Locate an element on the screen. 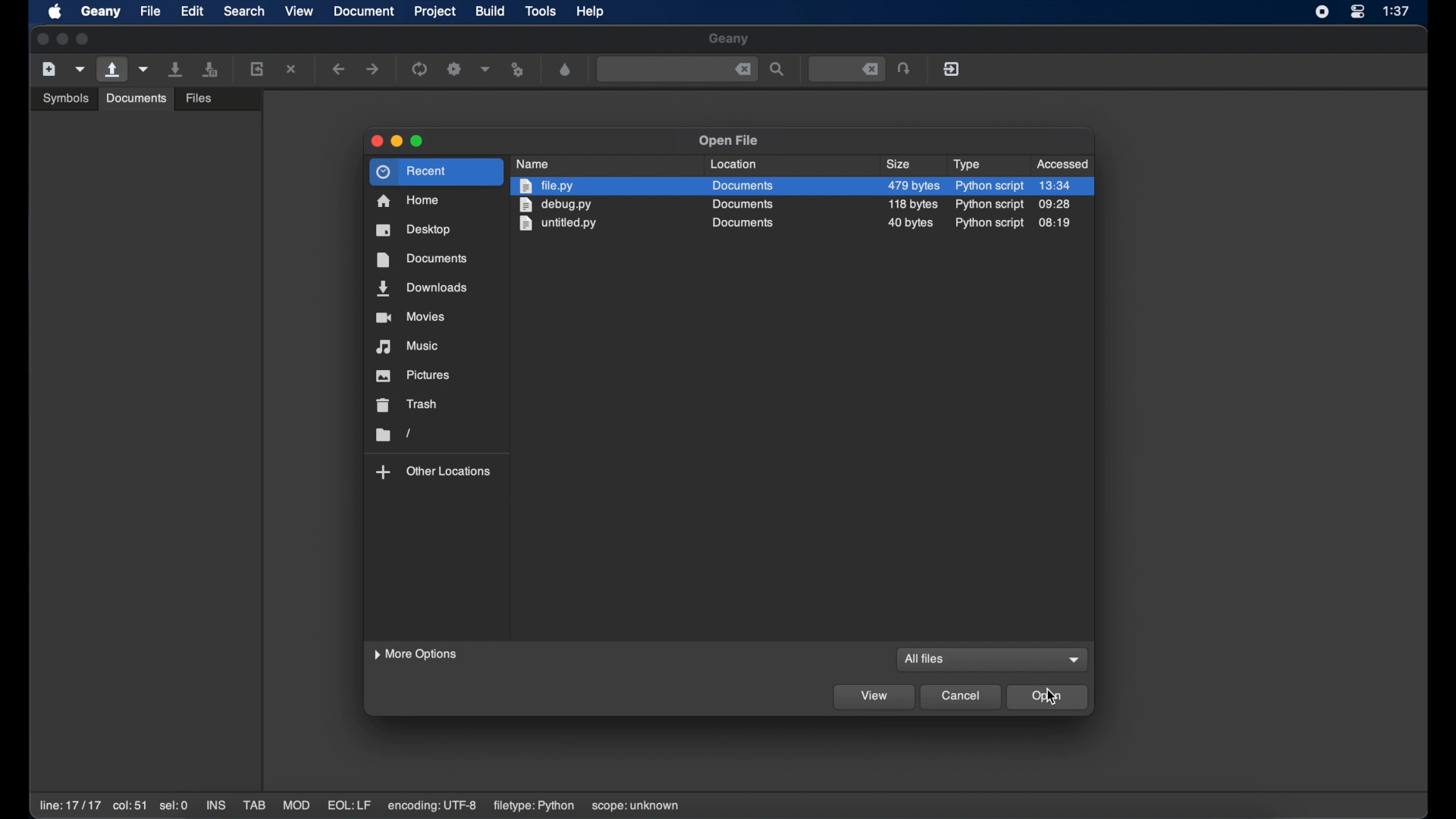 This screenshot has width=1456, height=819. open a recent file is located at coordinates (144, 69).